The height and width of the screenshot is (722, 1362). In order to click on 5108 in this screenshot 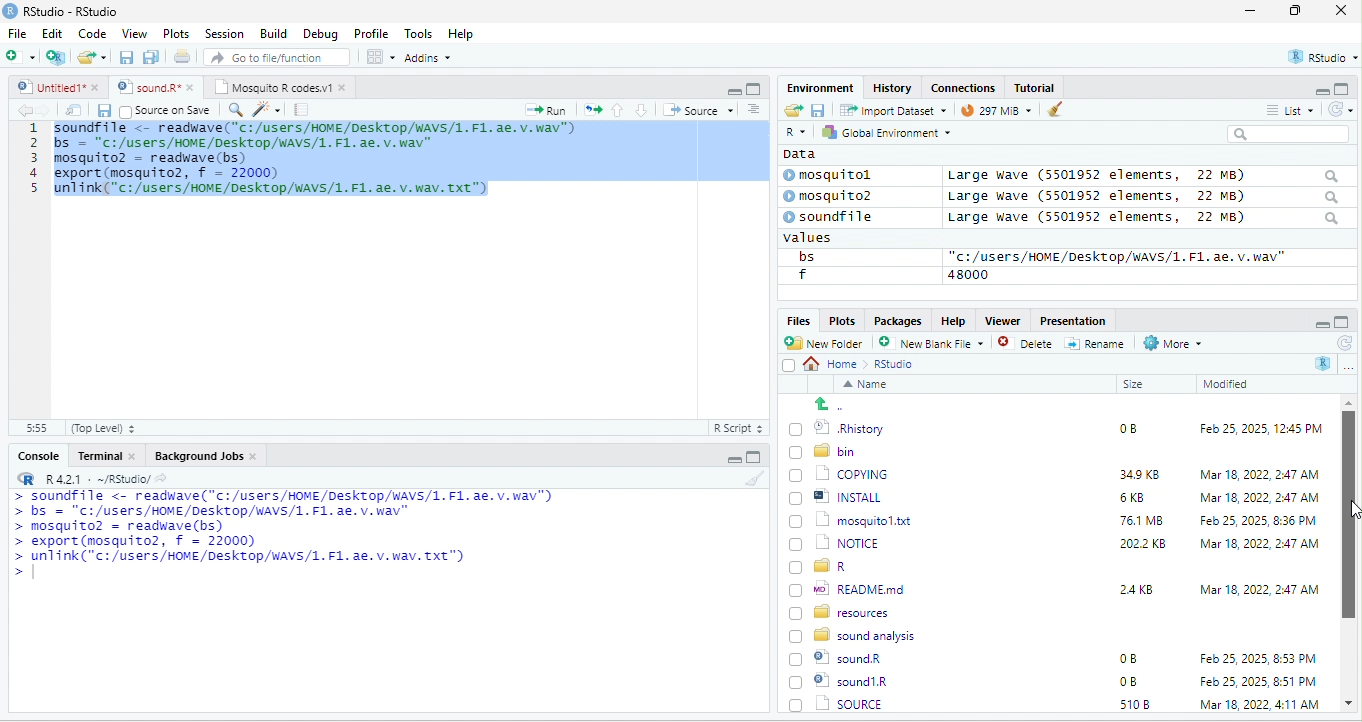, I will do `click(1130, 680)`.